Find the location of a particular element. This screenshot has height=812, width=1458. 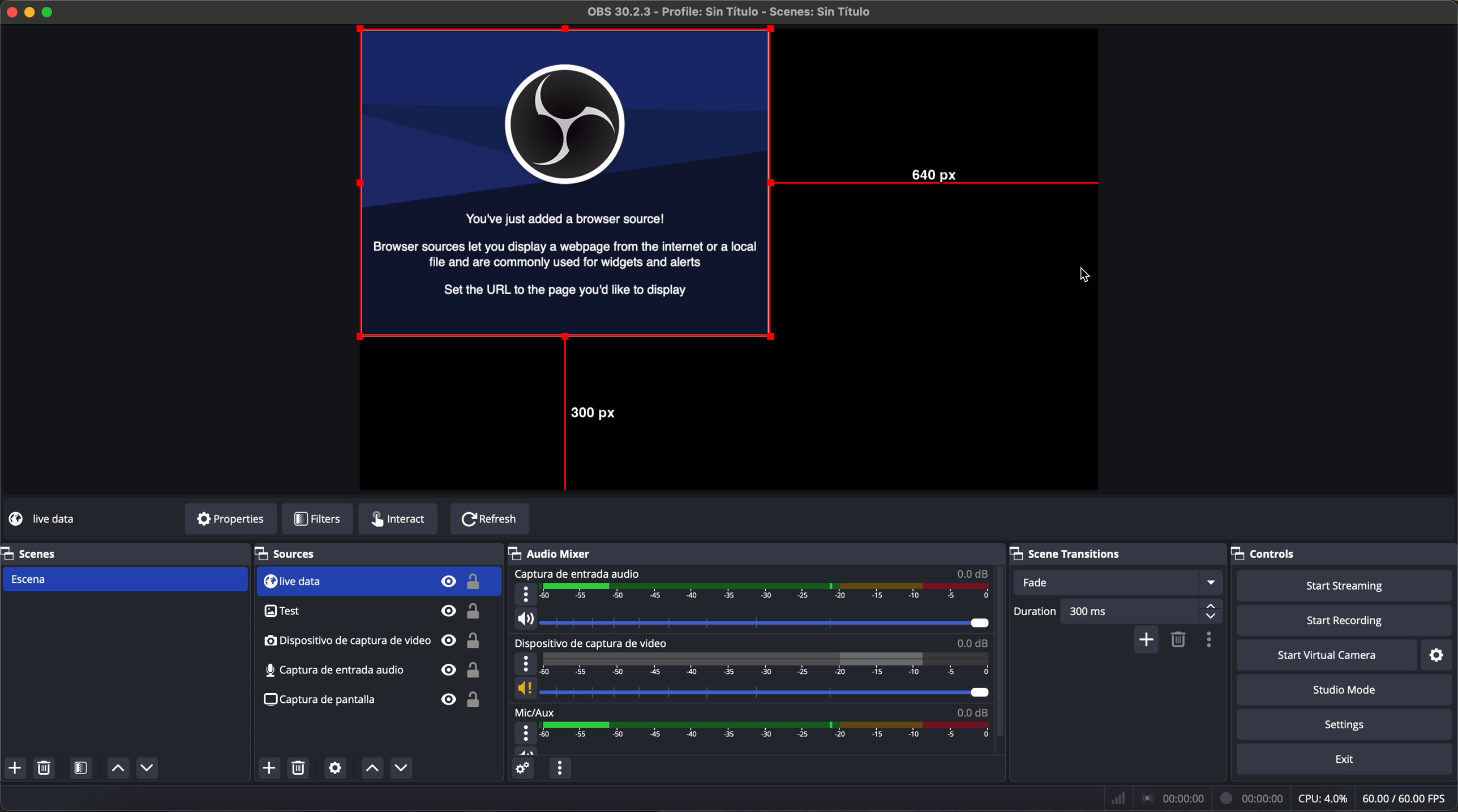

move sources down is located at coordinates (402, 770).